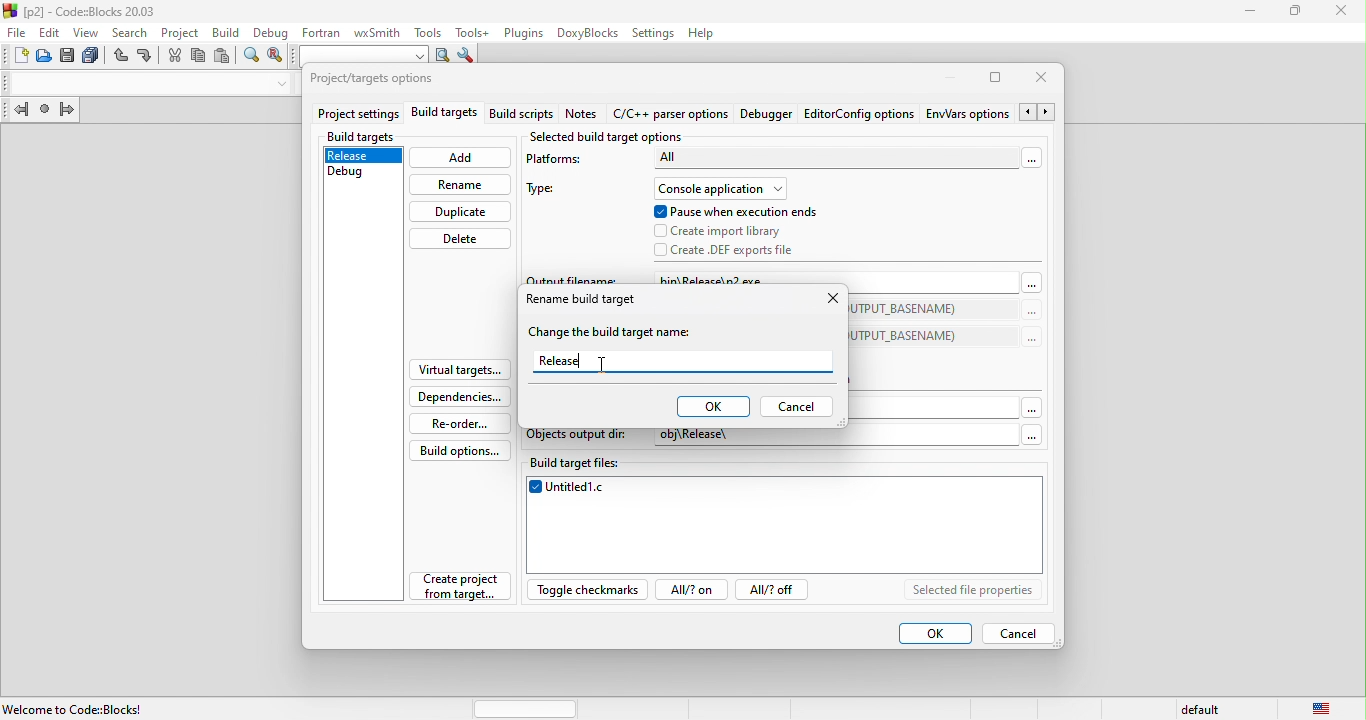  What do you see at coordinates (673, 115) in the screenshot?
I see `c\c++ parser option` at bounding box center [673, 115].